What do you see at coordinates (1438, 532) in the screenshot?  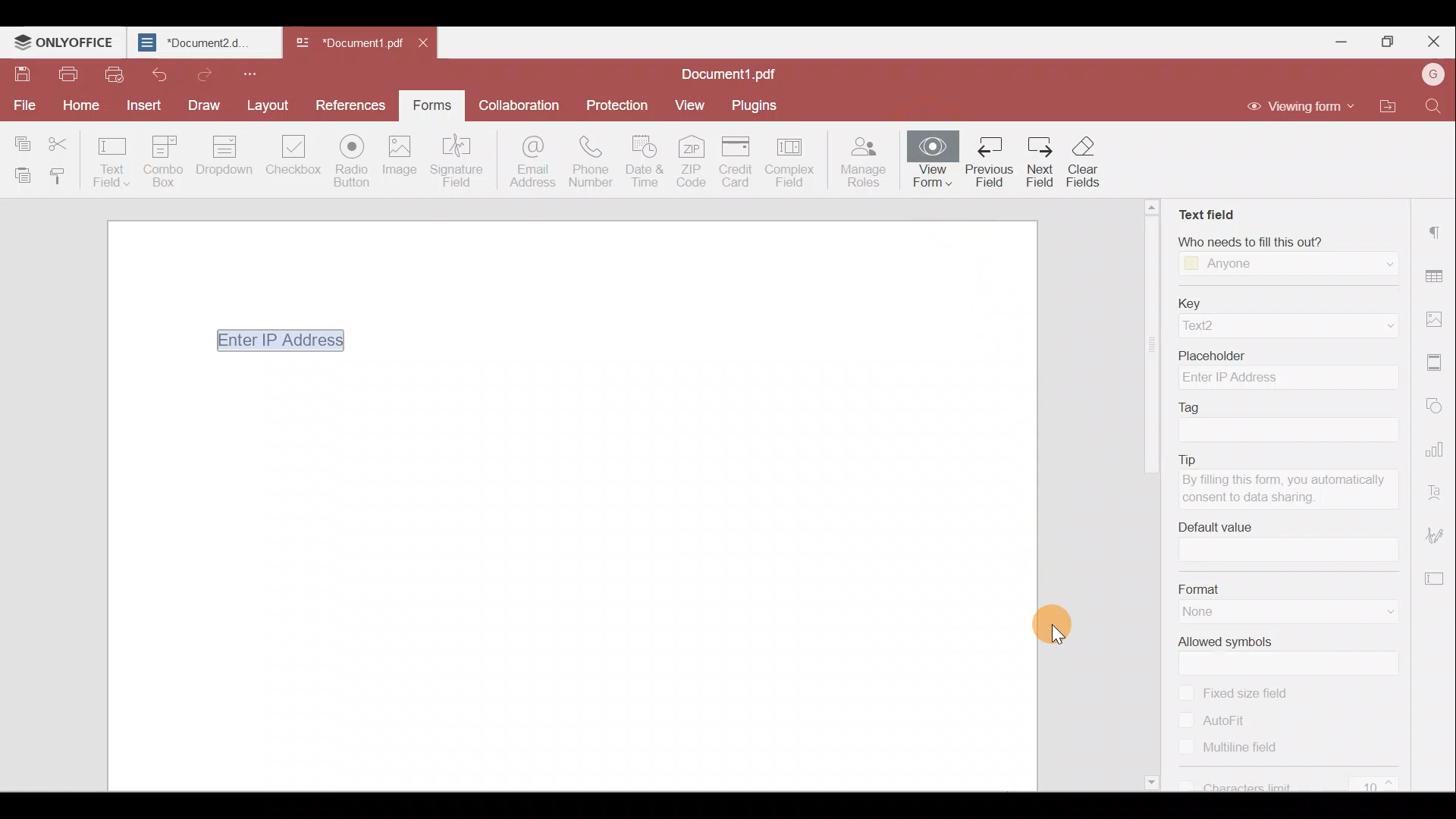 I see `Signature settings` at bounding box center [1438, 532].